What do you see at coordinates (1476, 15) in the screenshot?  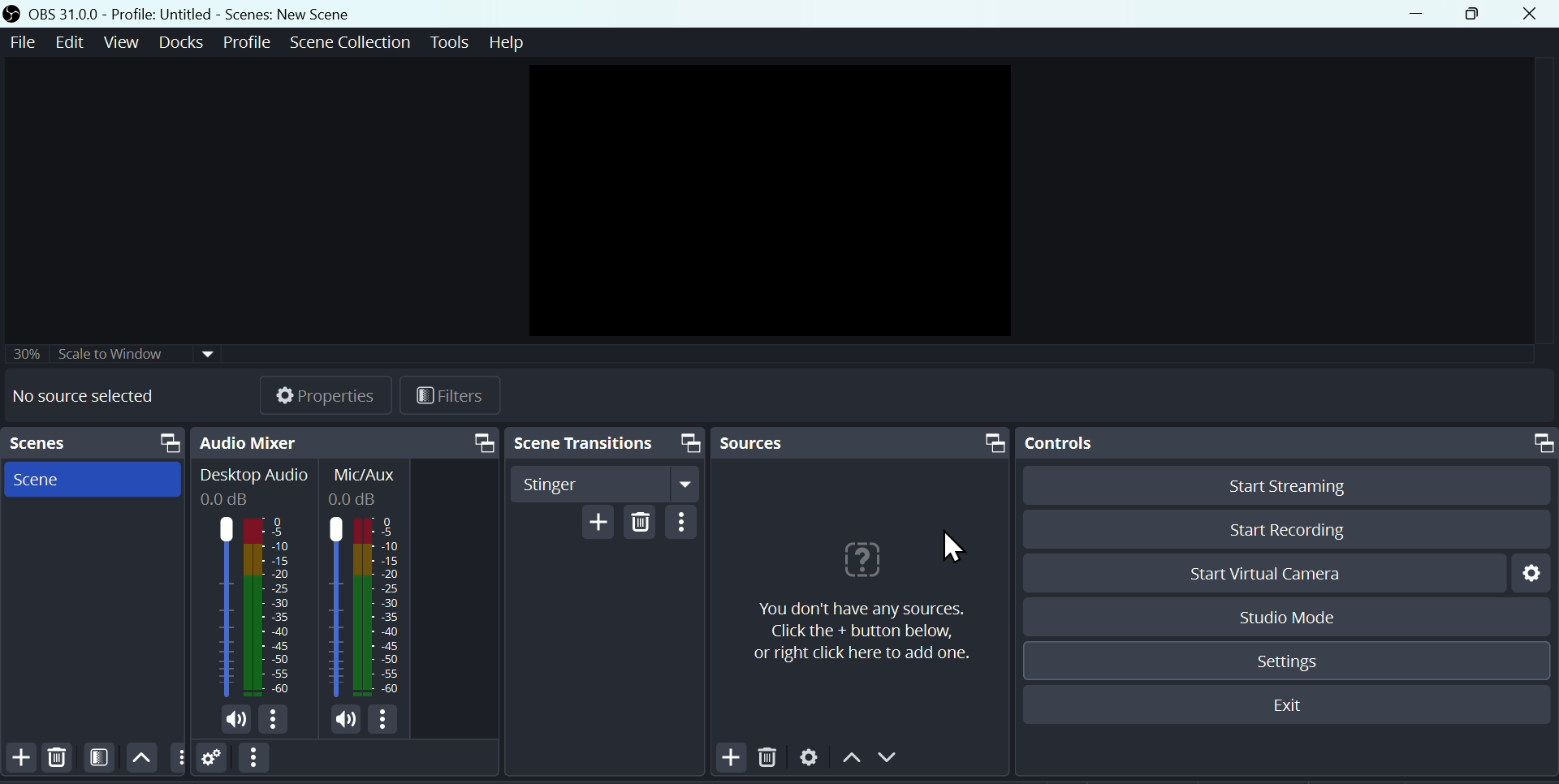 I see `maximise` at bounding box center [1476, 15].